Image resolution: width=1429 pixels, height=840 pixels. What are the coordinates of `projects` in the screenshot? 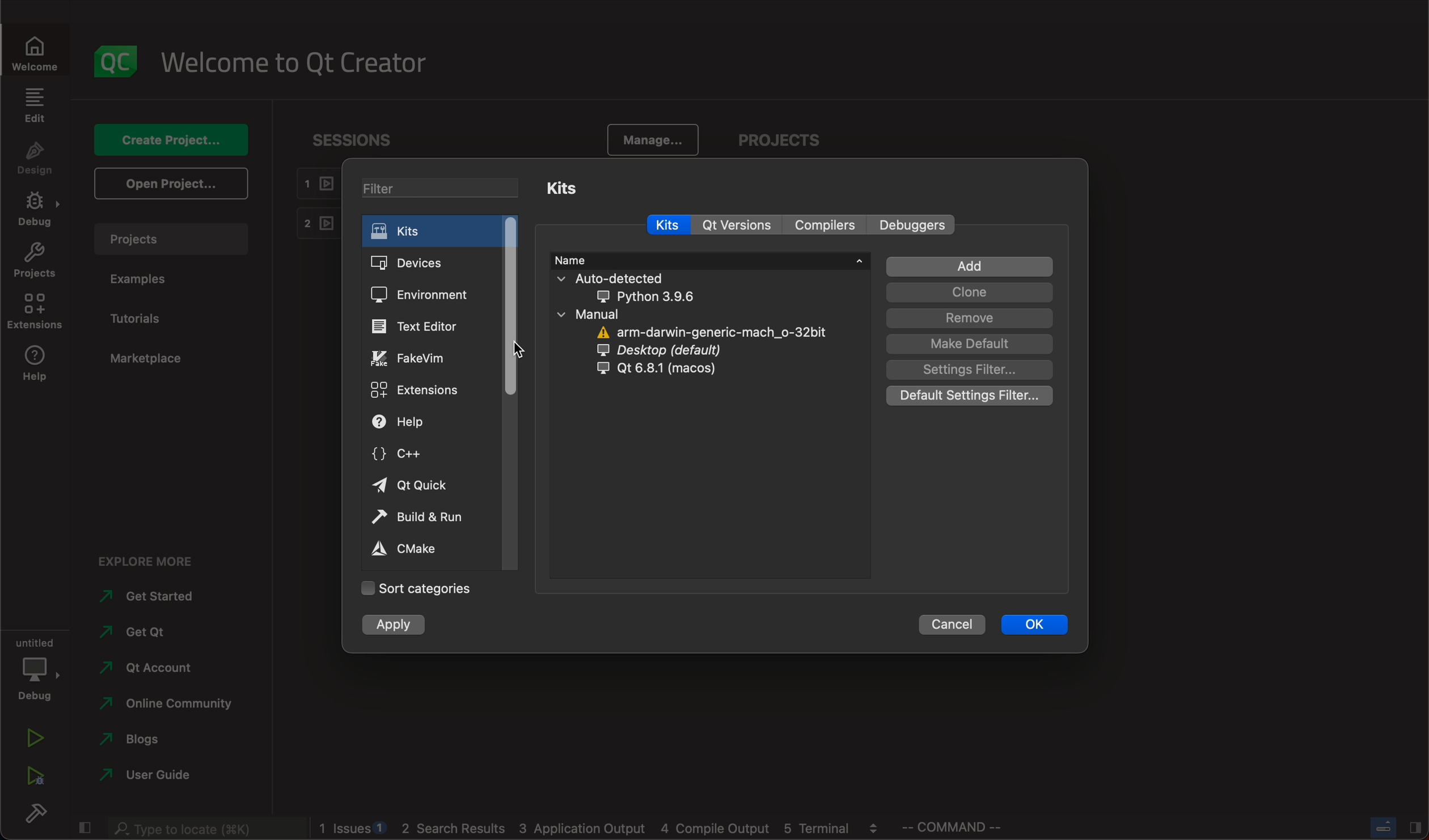 It's located at (33, 261).